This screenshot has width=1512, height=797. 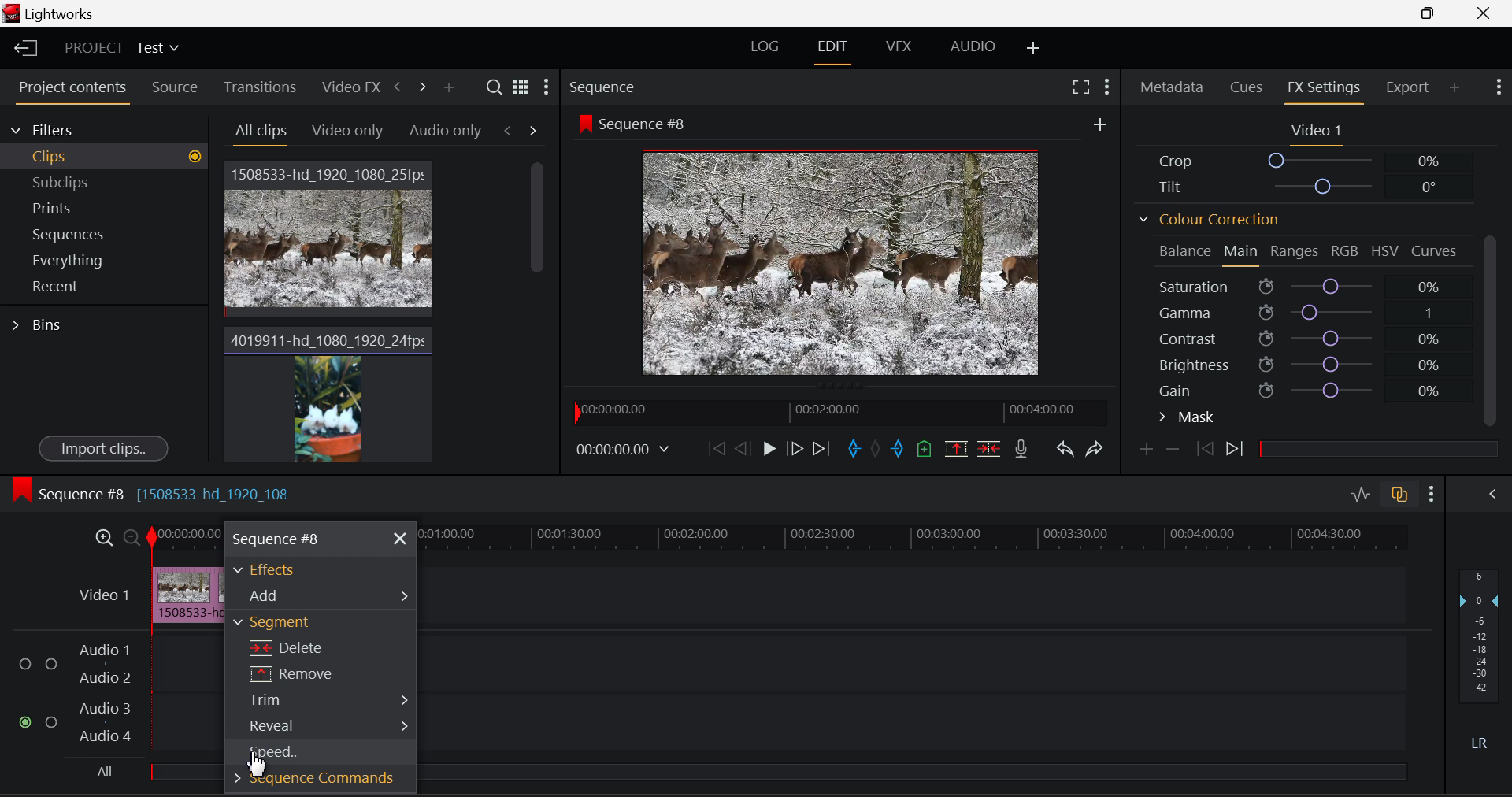 I want to click on Redo, so click(x=1095, y=451).